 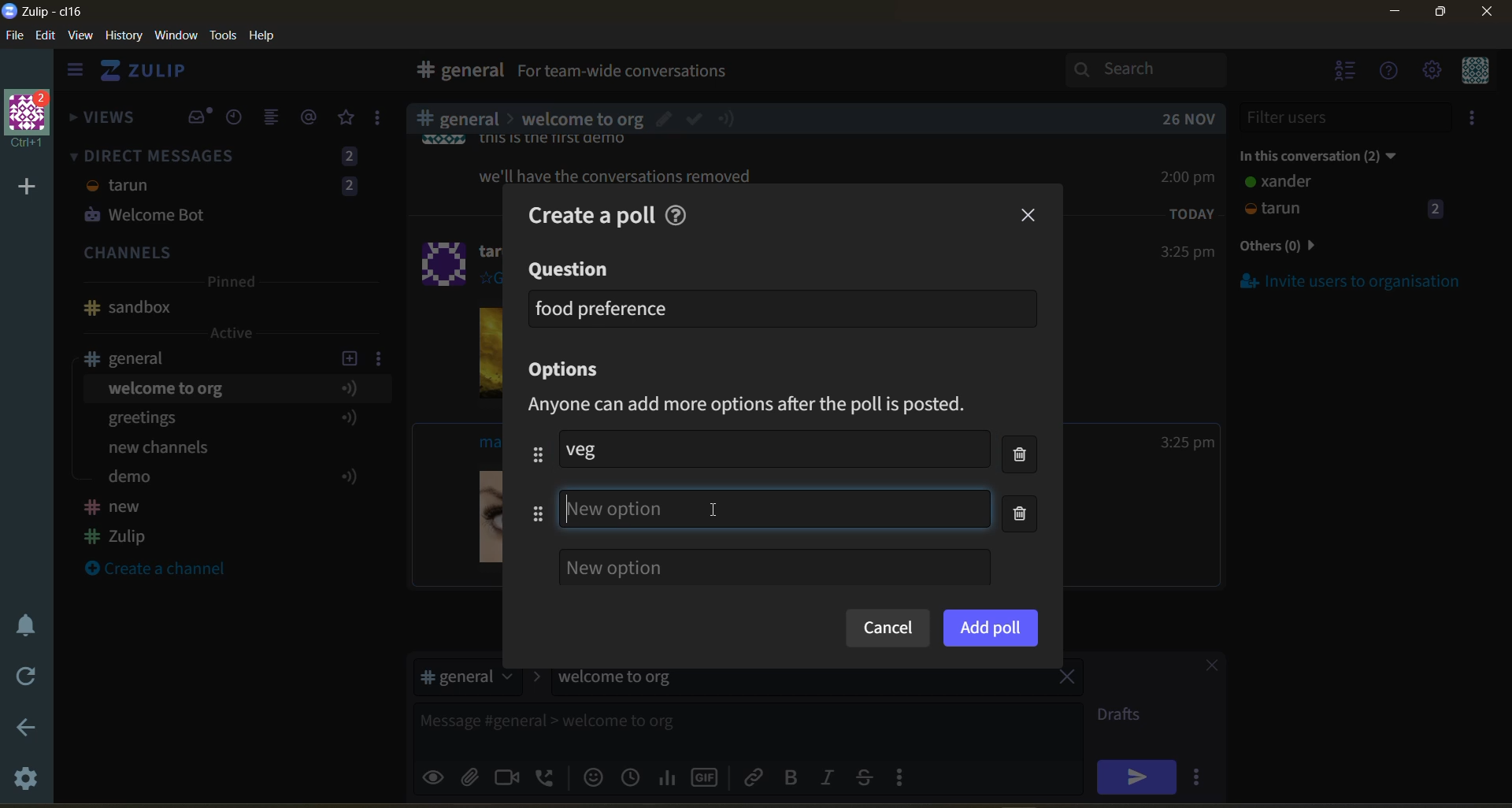 What do you see at coordinates (278, 120) in the screenshot?
I see `combined feed` at bounding box center [278, 120].